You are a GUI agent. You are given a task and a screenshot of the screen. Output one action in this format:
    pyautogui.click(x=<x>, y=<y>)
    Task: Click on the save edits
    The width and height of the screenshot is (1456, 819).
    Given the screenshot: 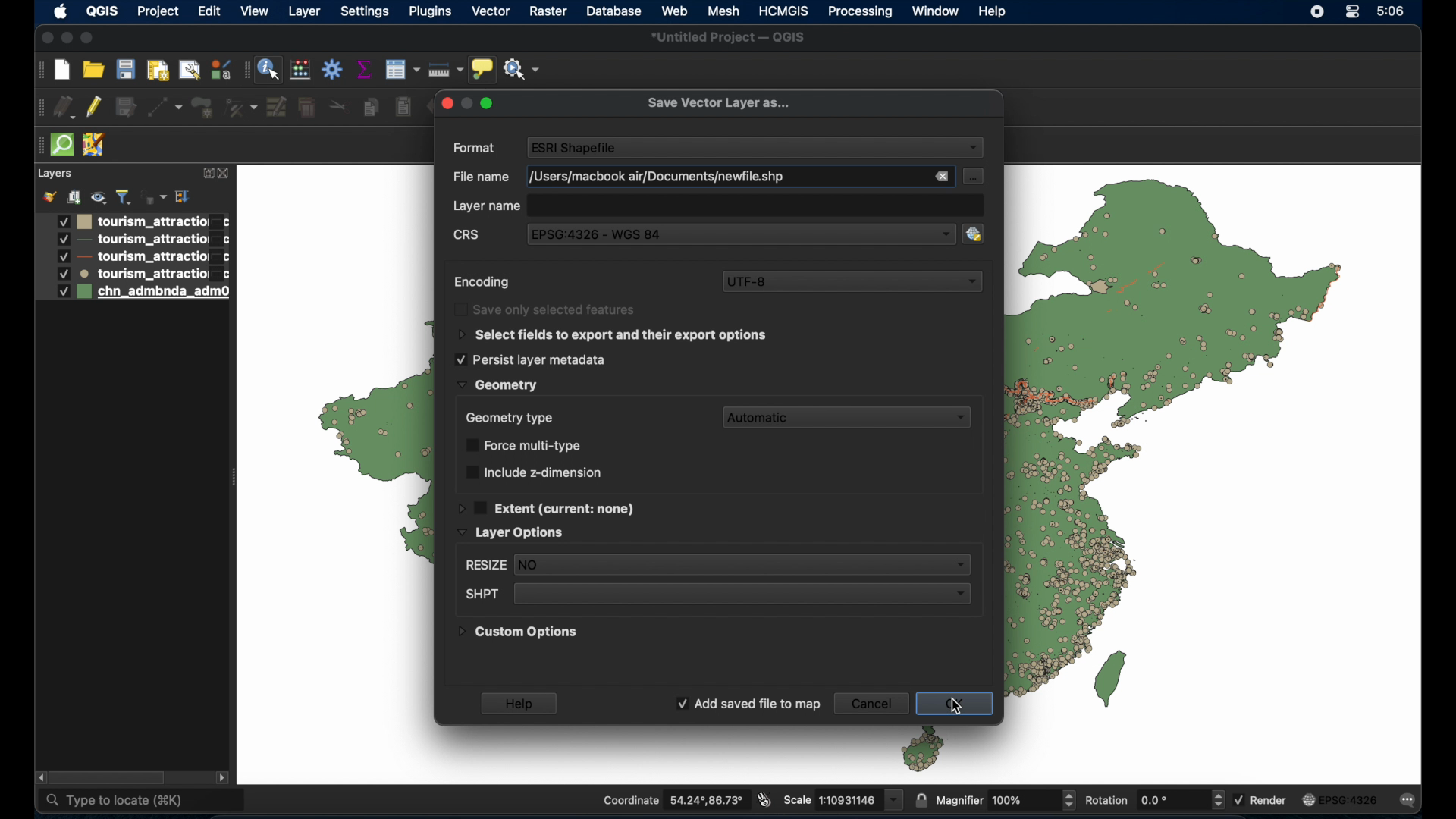 What is the action you would take?
    pyautogui.click(x=127, y=107)
    